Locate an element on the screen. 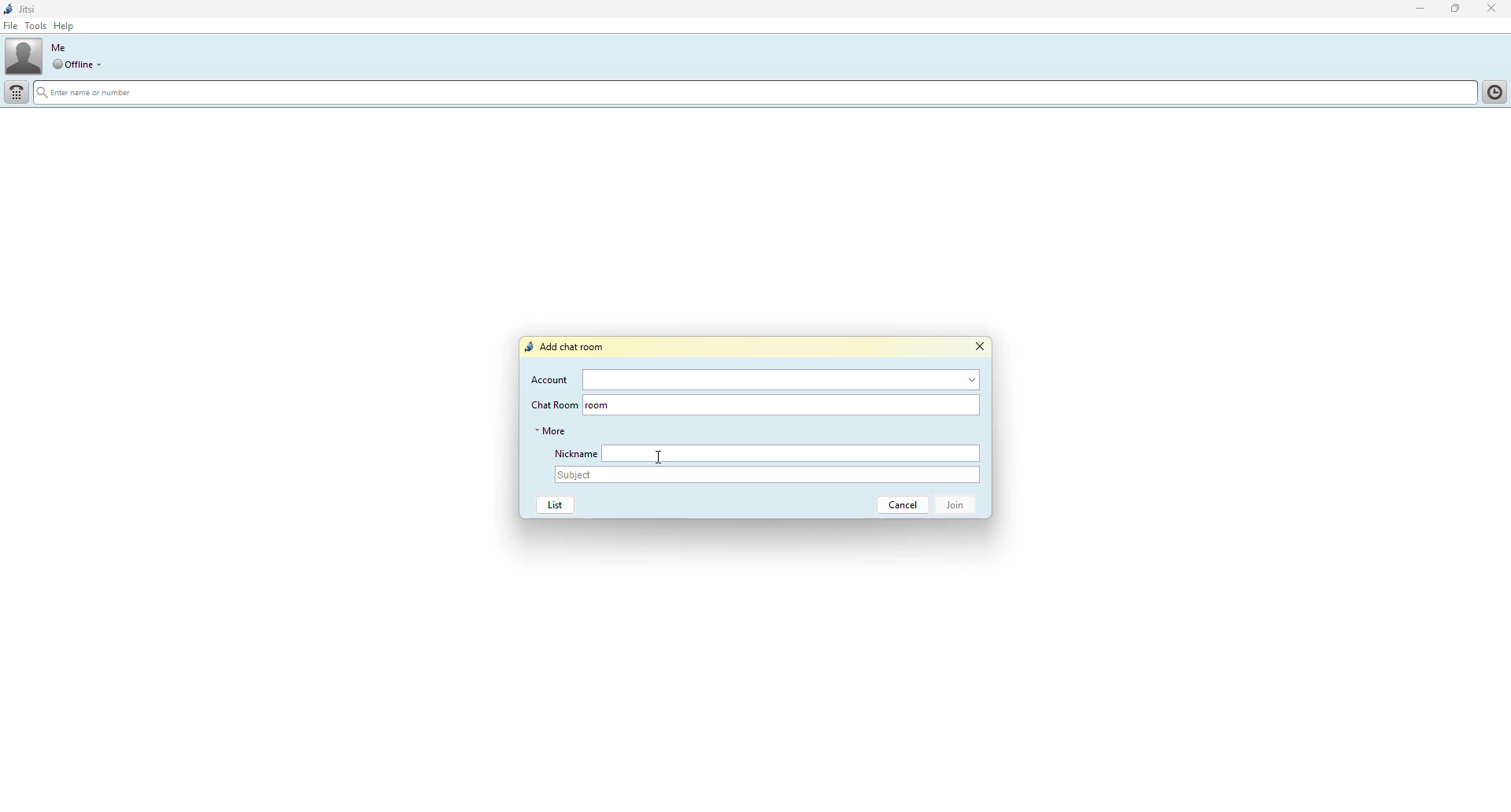 The image size is (1511, 812). subject is located at coordinates (768, 475).